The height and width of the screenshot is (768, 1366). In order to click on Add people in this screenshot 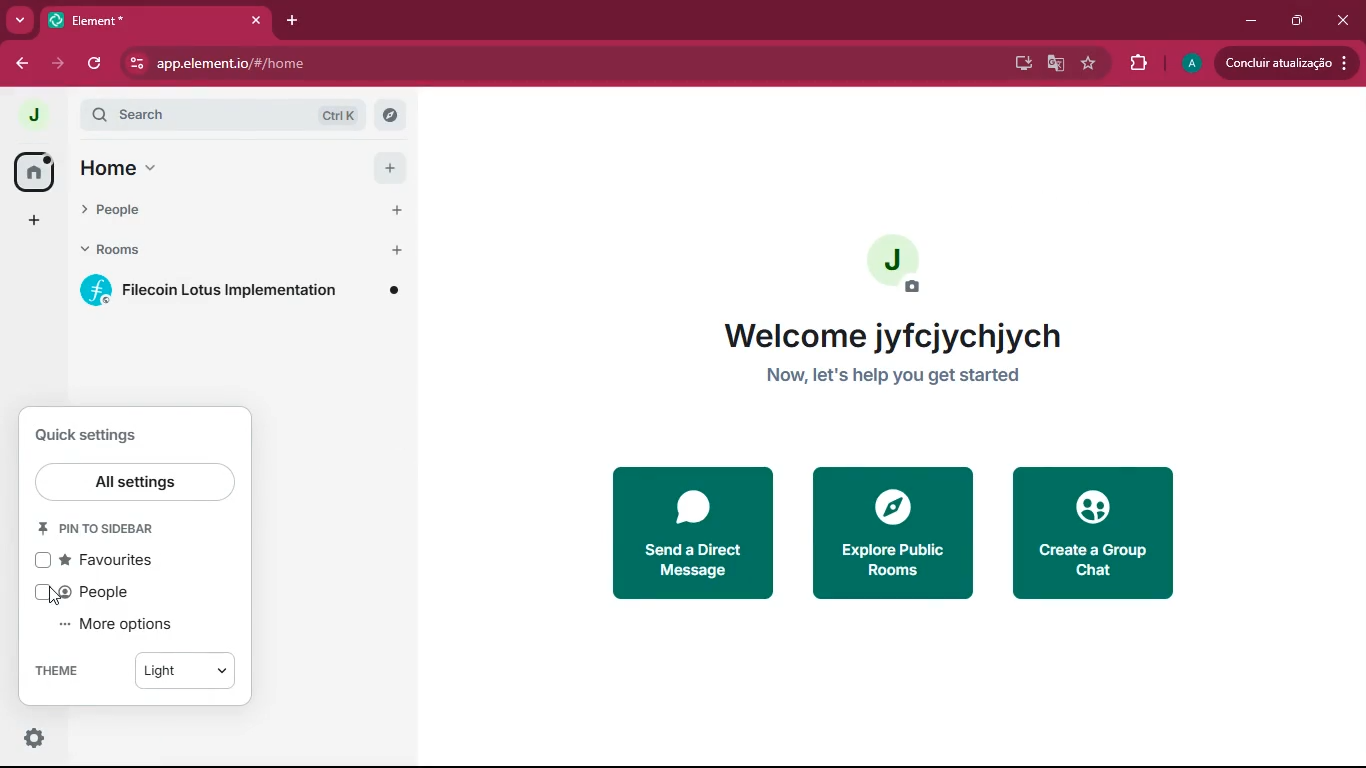, I will do `click(396, 213)`.